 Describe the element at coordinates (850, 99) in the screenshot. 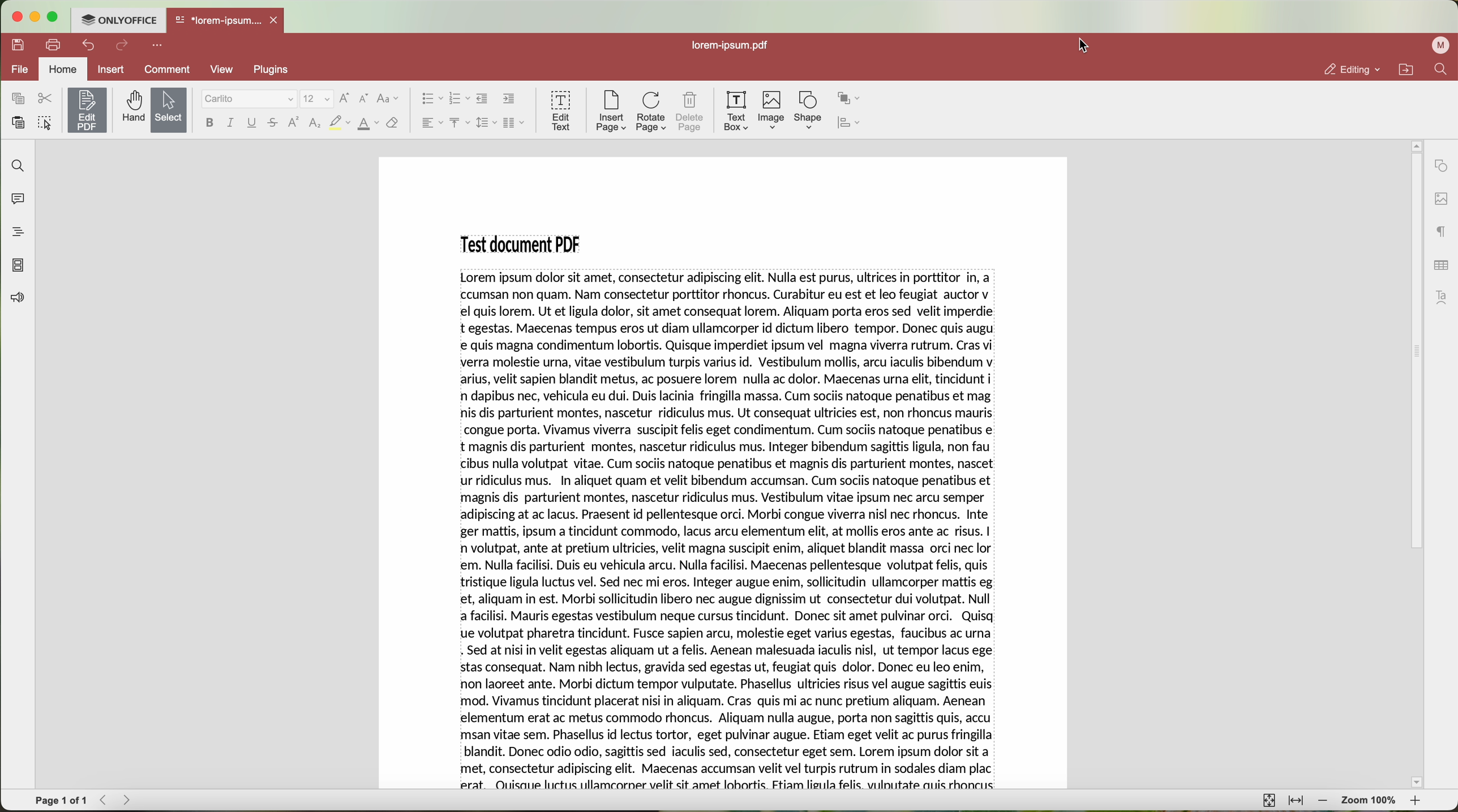

I see `arrange shape` at that location.